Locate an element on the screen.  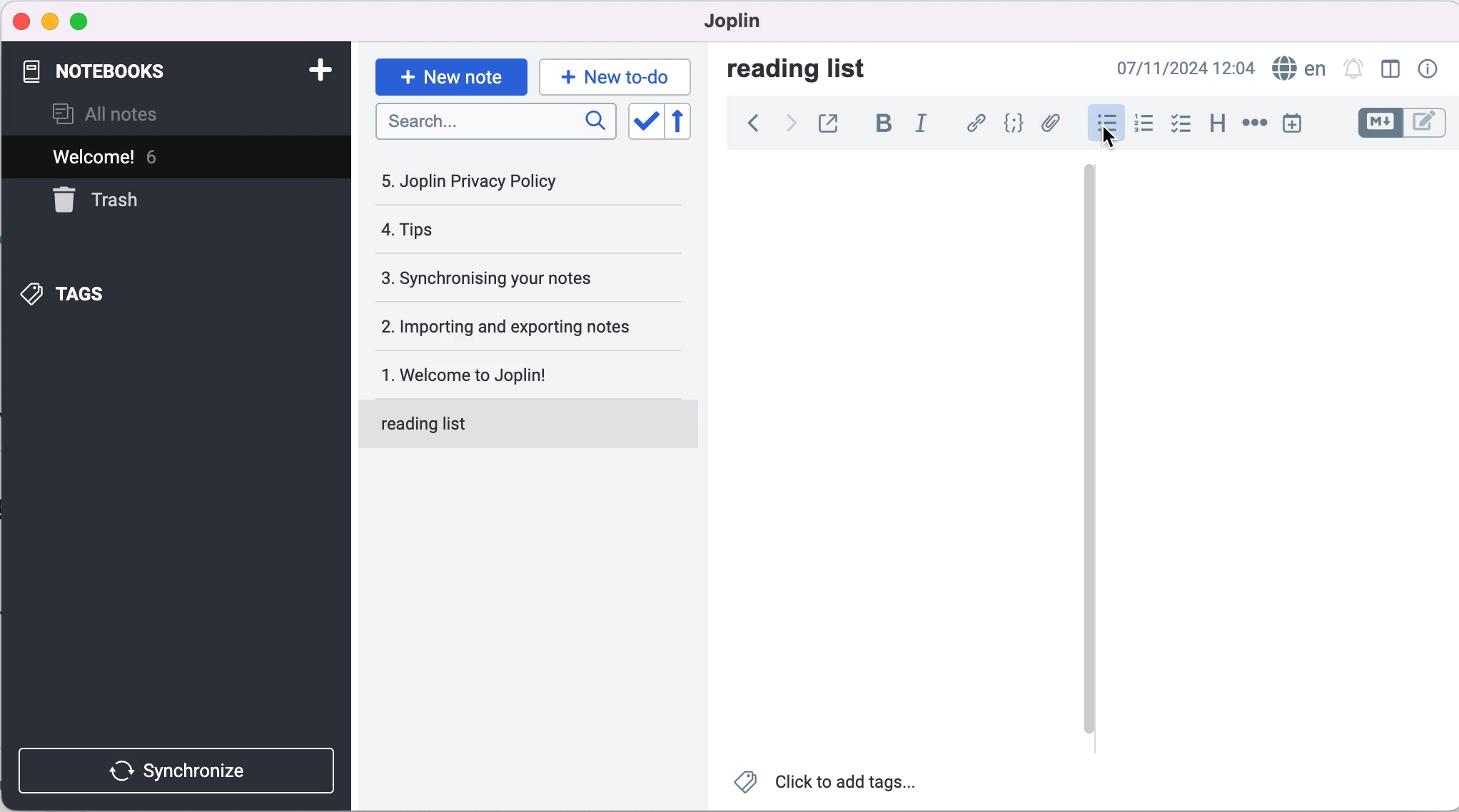
heading is located at coordinates (1218, 127).